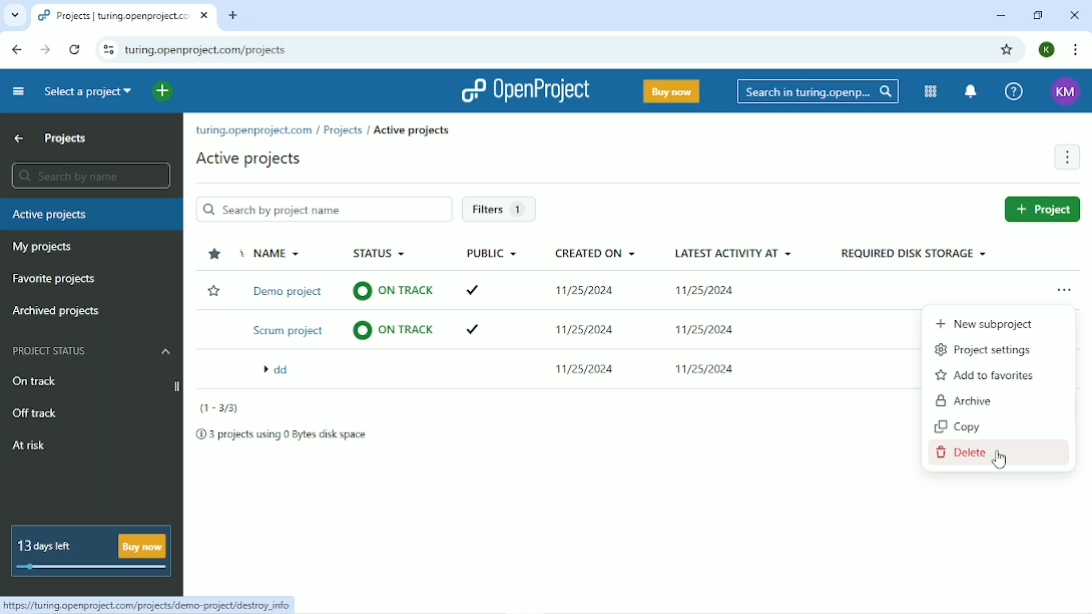  Describe the element at coordinates (89, 93) in the screenshot. I see `Select a project` at that location.